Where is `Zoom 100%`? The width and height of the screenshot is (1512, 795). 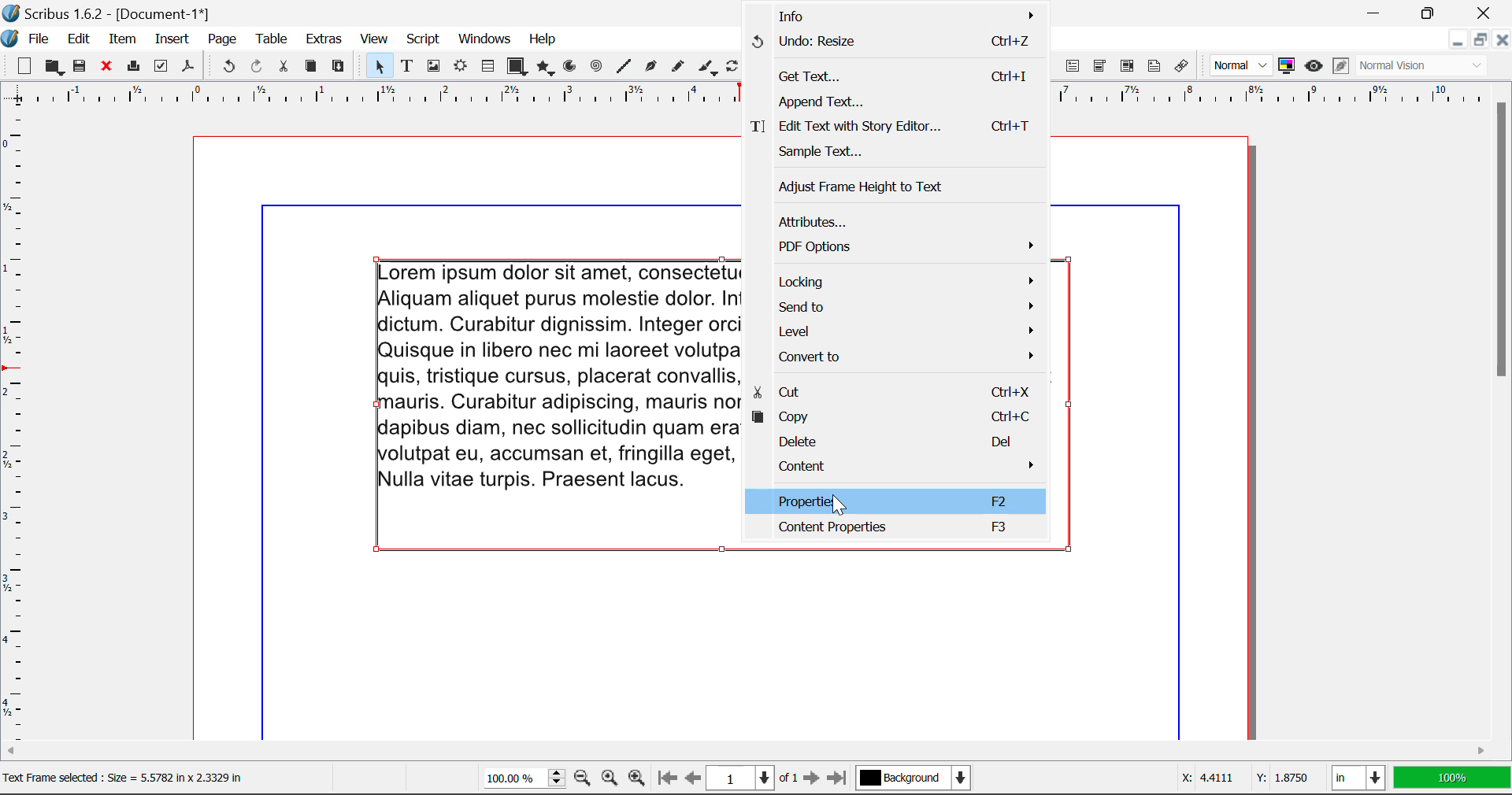 Zoom 100% is located at coordinates (524, 780).